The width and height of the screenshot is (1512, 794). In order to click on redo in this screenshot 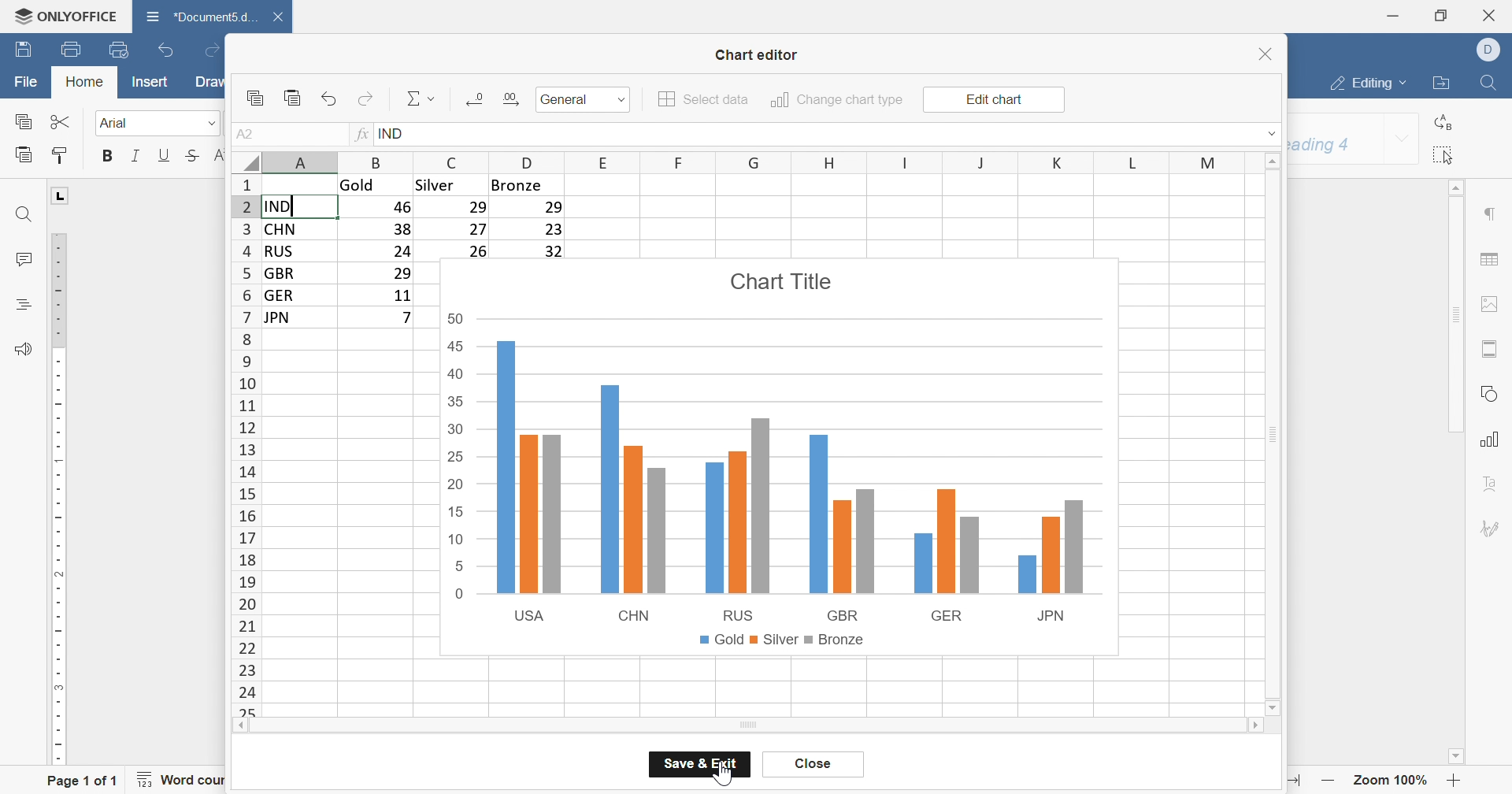, I will do `click(366, 98)`.